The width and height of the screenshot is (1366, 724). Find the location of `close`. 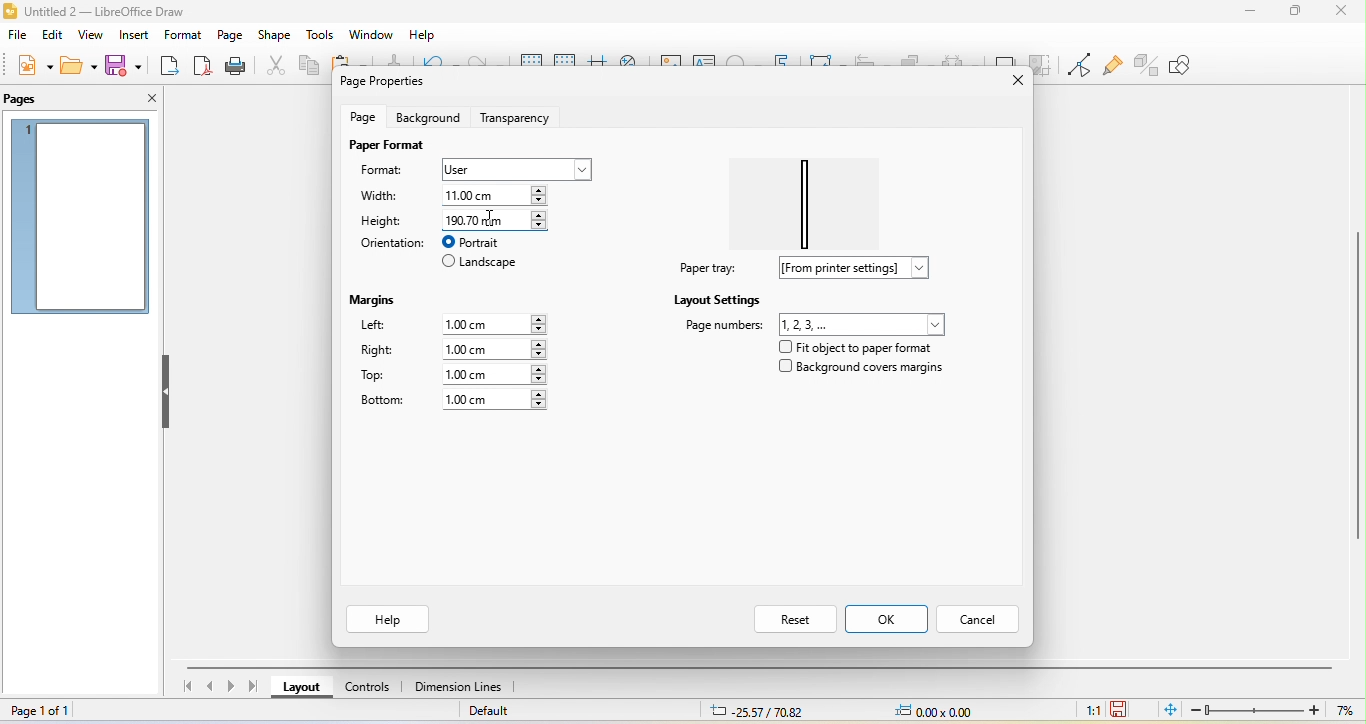

close is located at coordinates (1340, 11).